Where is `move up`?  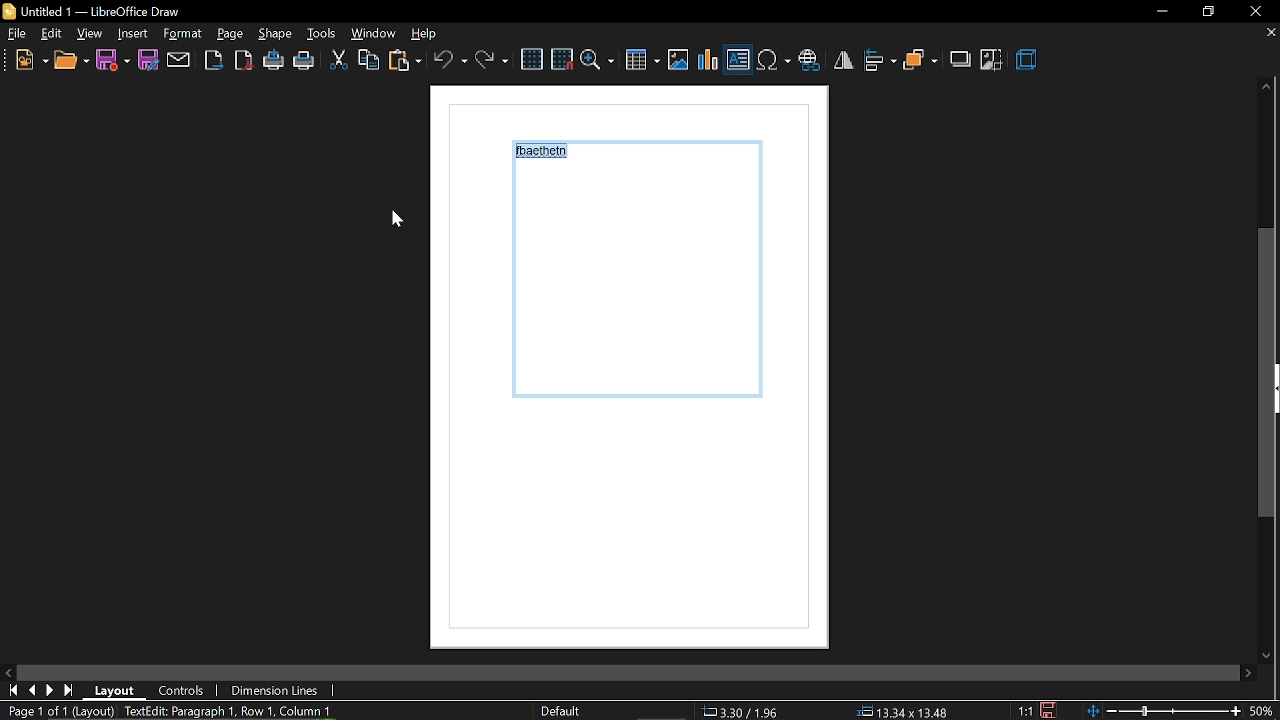 move up is located at coordinates (1267, 88).